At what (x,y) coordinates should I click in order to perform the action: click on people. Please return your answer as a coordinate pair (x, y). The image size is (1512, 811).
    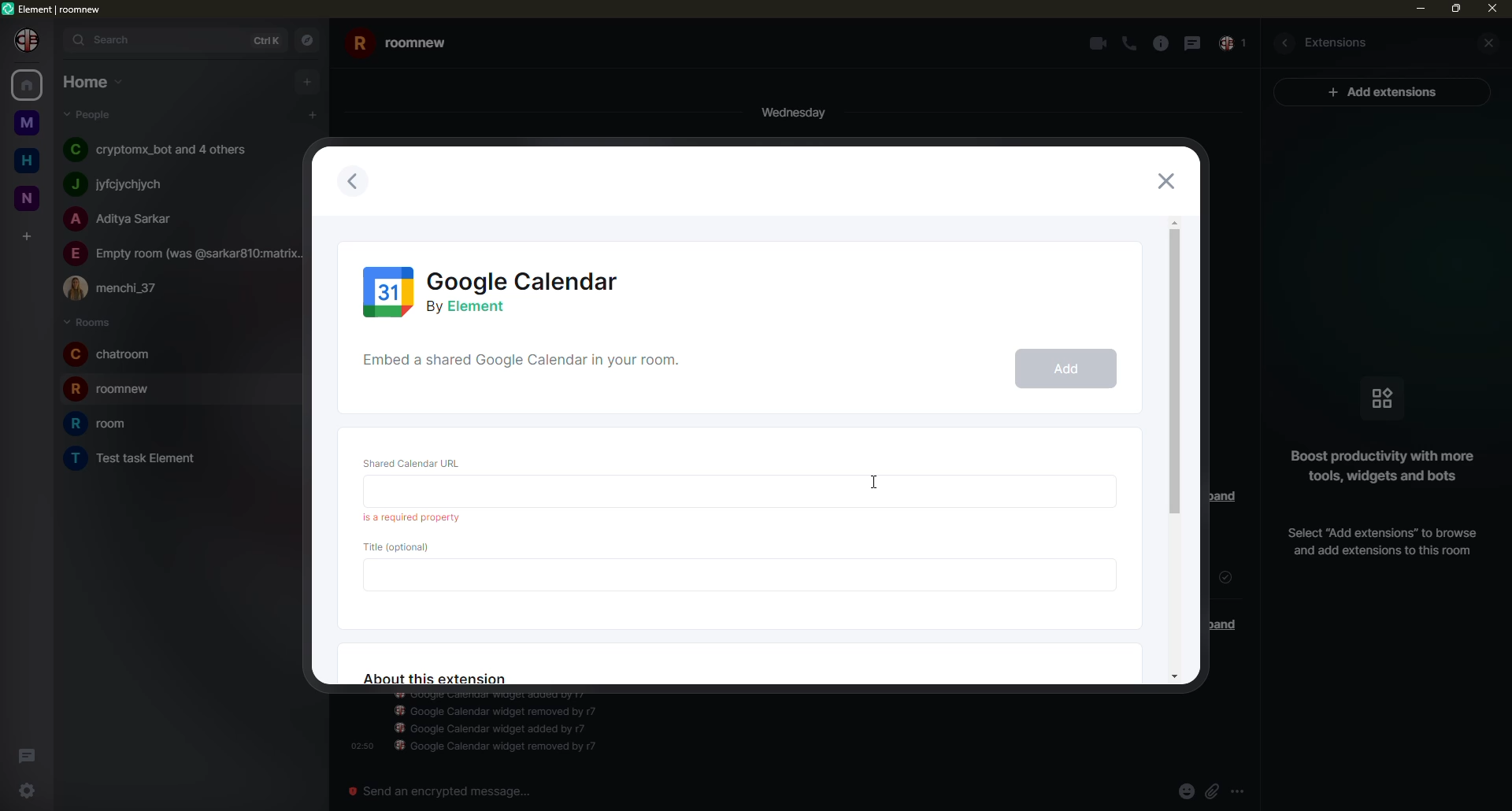
    Looking at the image, I should click on (118, 287).